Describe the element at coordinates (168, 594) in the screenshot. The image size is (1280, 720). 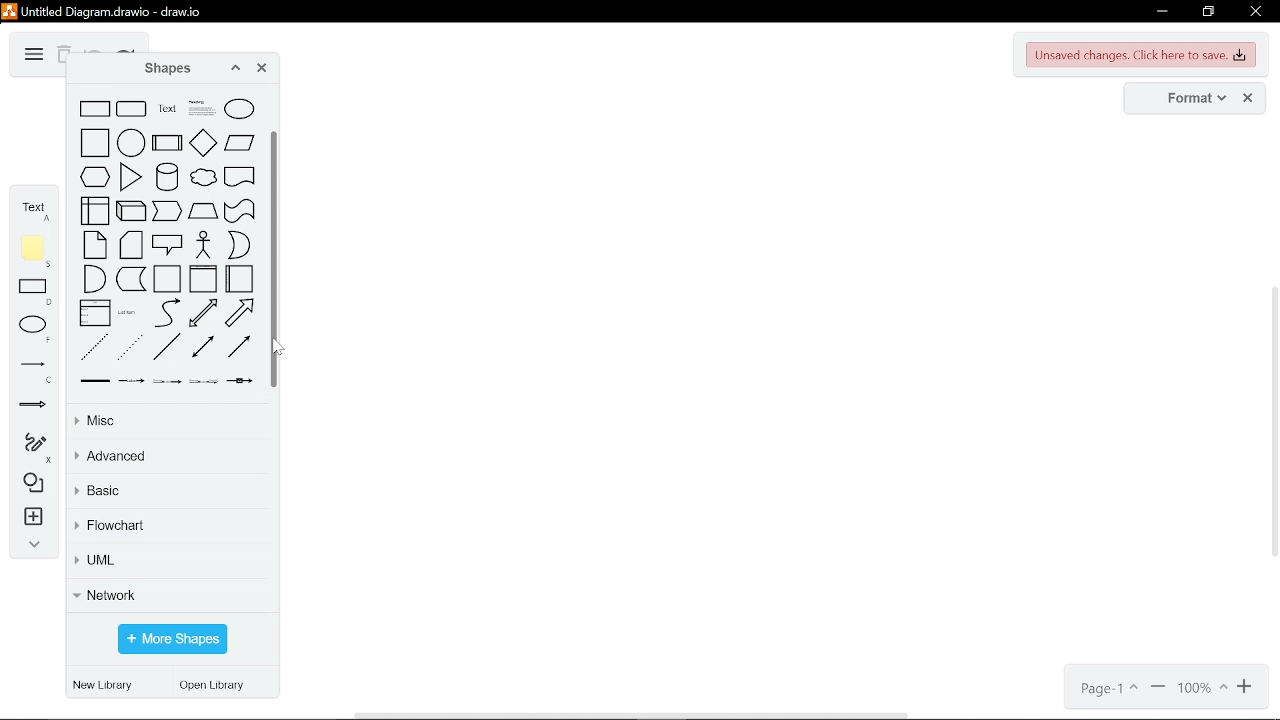
I see `network` at that location.